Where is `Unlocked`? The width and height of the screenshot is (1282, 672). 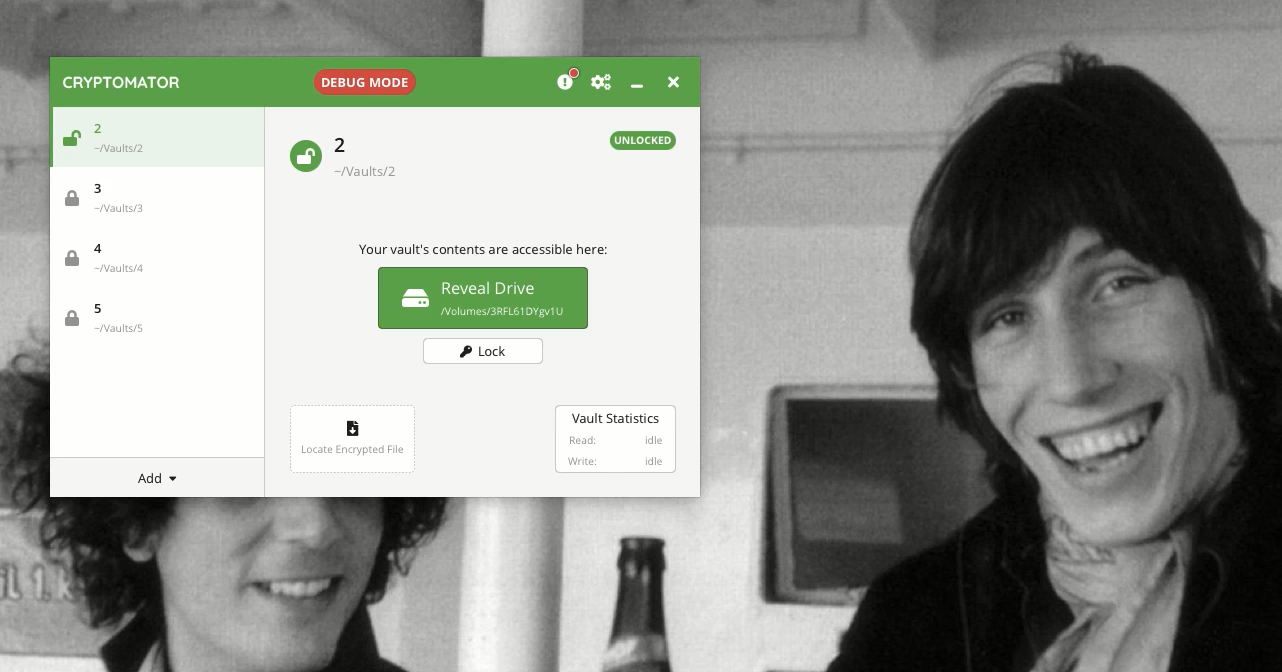 Unlocked is located at coordinates (68, 141).